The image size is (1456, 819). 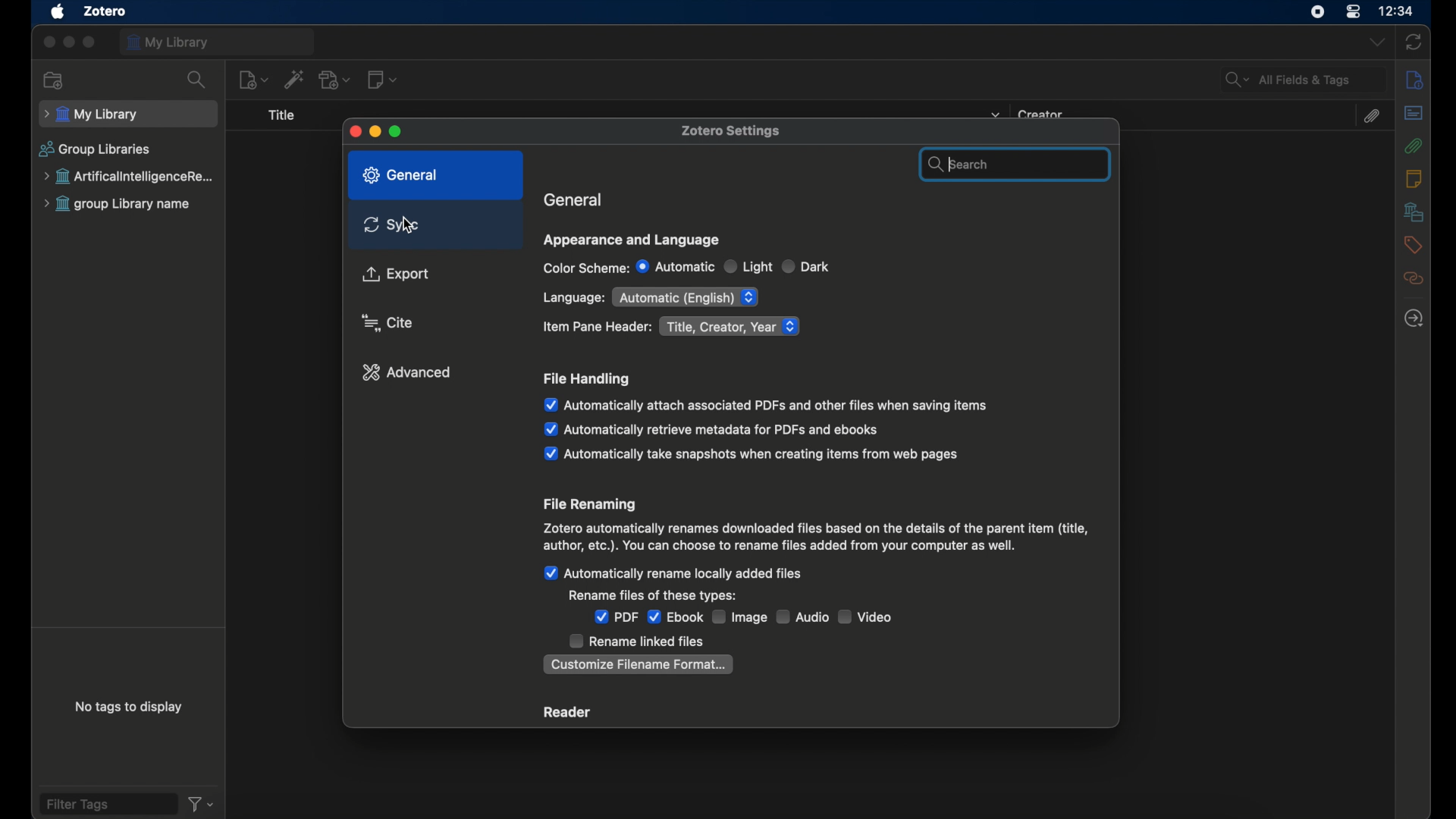 What do you see at coordinates (752, 455) in the screenshot?
I see `automatically take snapshots when creating items from web pages checkbox` at bounding box center [752, 455].